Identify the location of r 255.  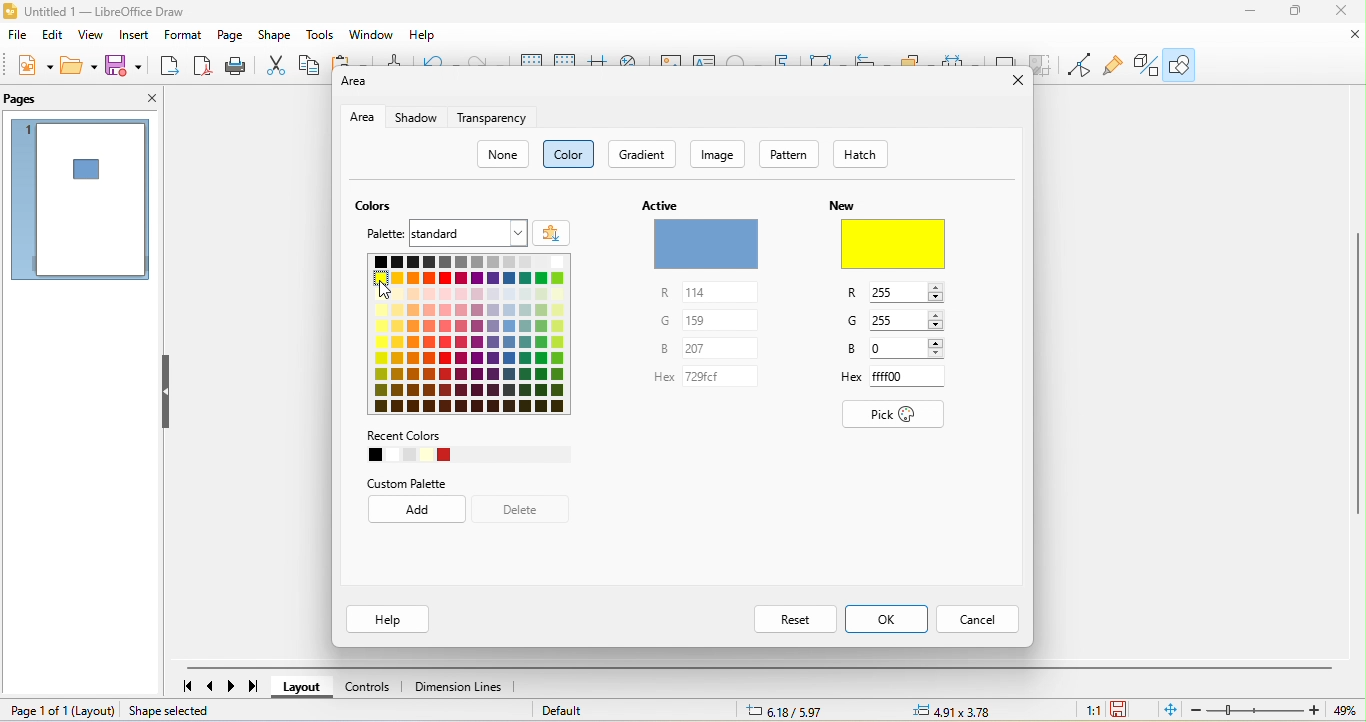
(898, 295).